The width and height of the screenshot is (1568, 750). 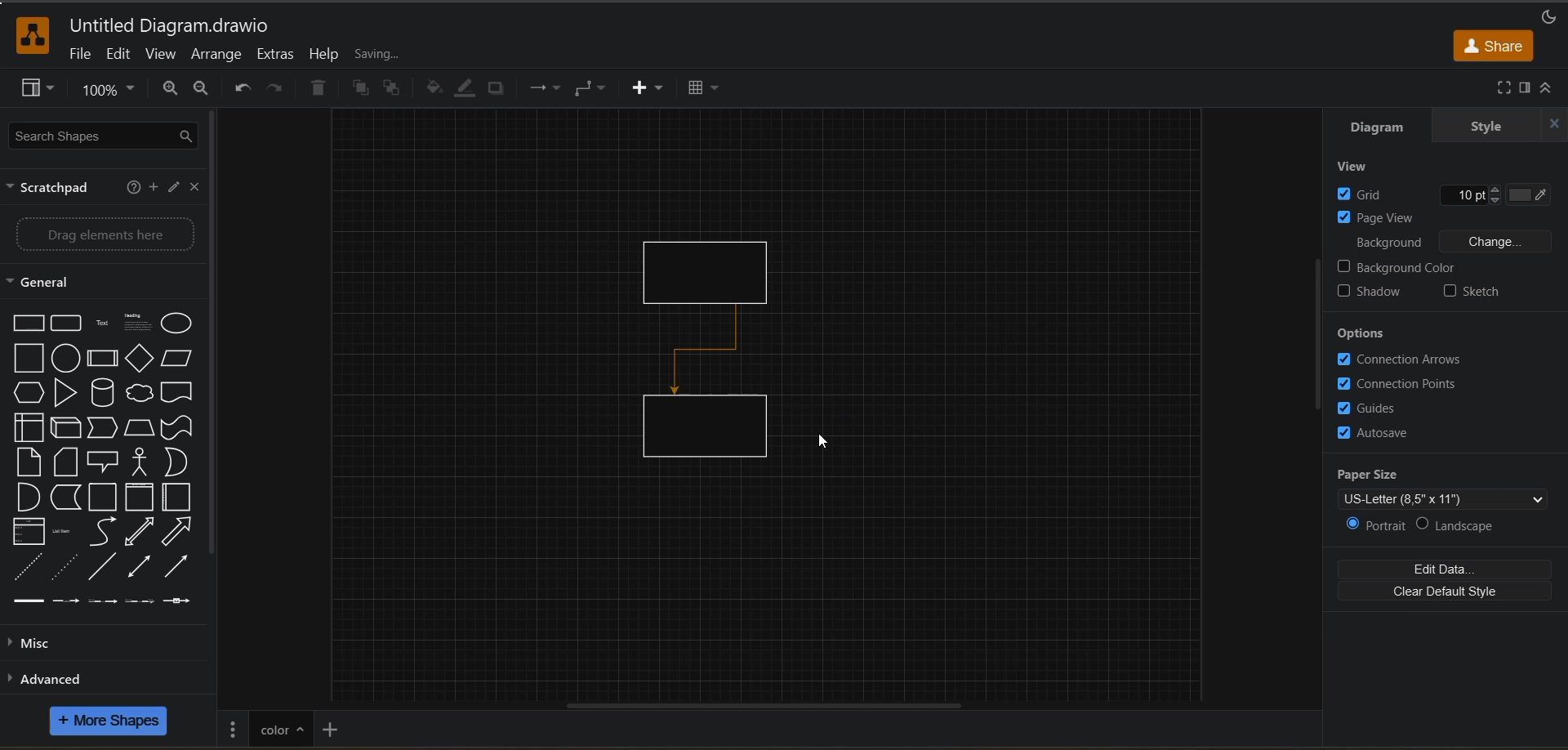 I want to click on landscape, so click(x=1465, y=522).